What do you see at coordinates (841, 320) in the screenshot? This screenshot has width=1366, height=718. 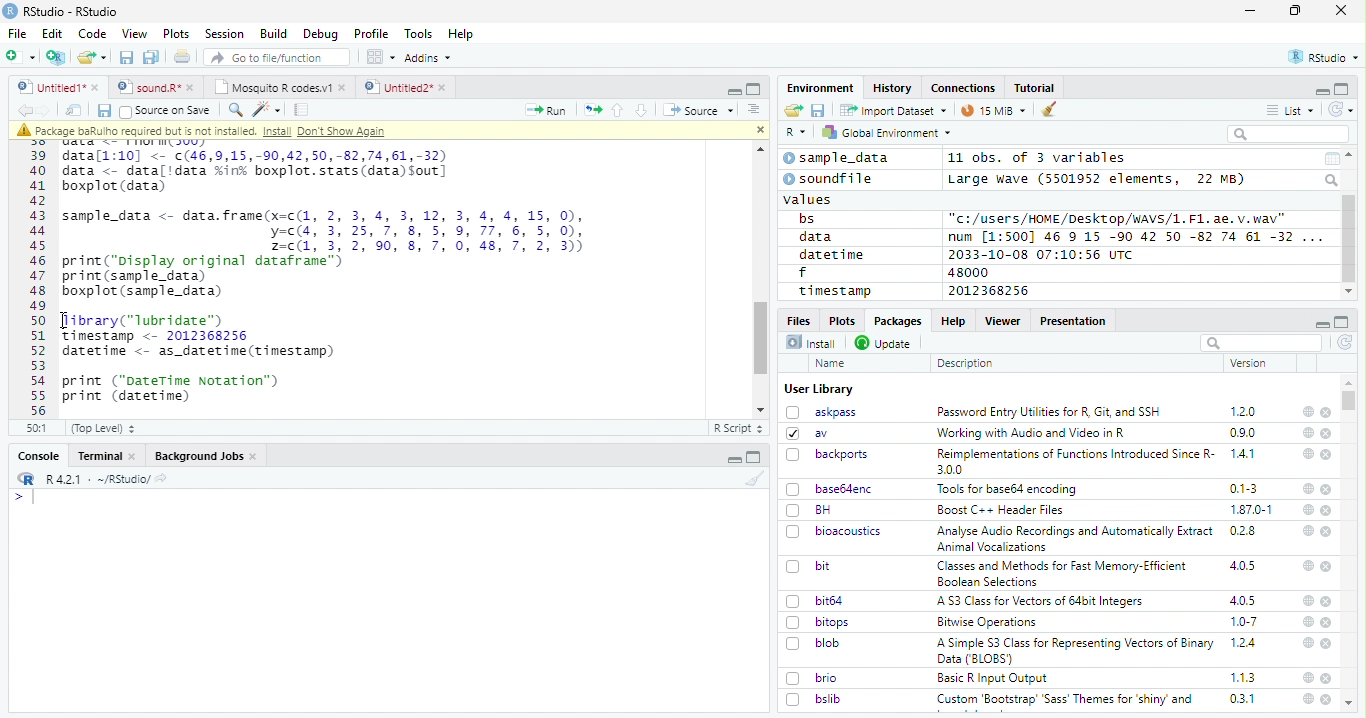 I see `Plots` at bounding box center [841, 320].